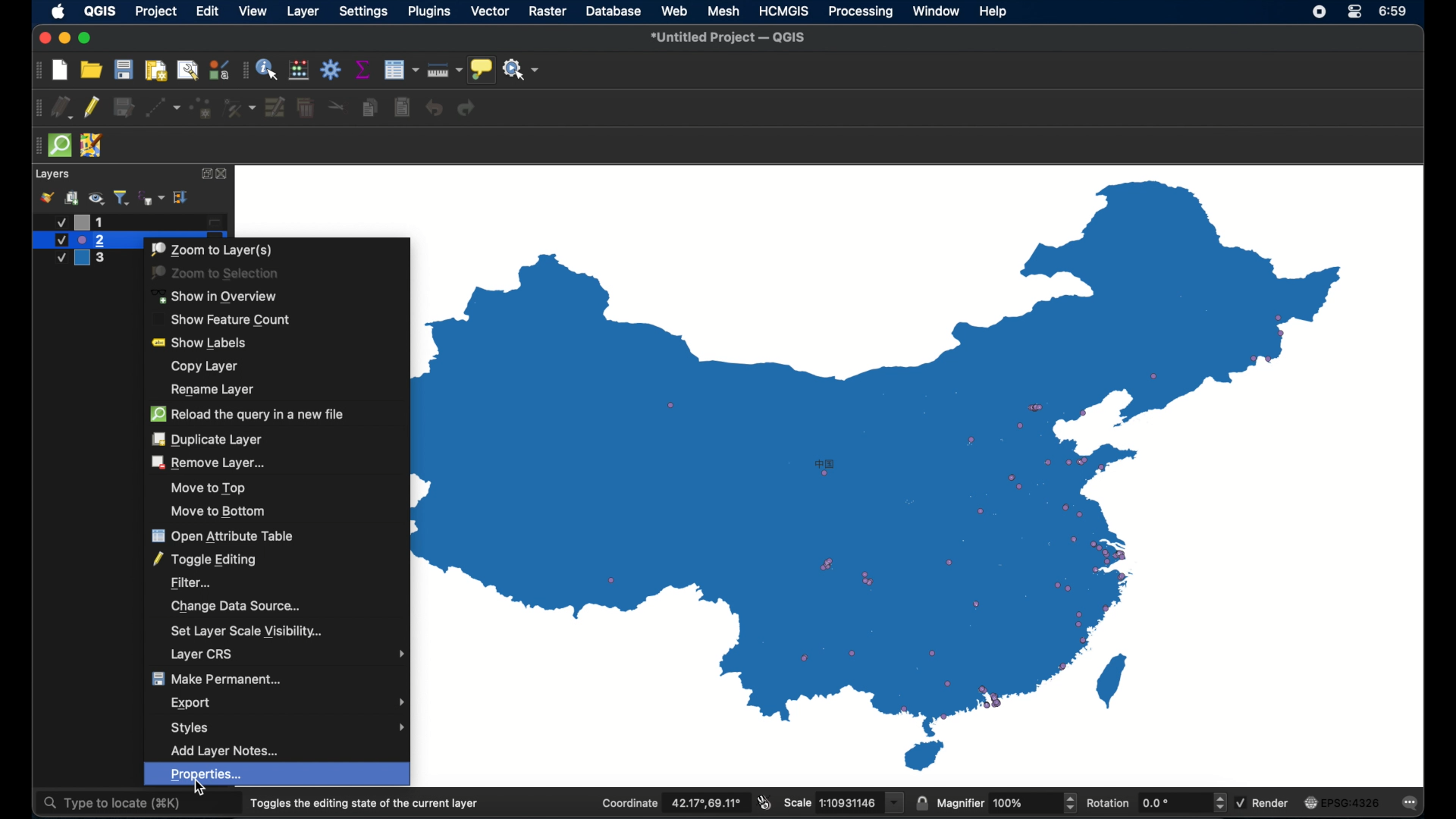 The image size is (1456, 819). Describe the element at coordinates (218, 274) in the screenshot. I see `zoom to selection` at that location.